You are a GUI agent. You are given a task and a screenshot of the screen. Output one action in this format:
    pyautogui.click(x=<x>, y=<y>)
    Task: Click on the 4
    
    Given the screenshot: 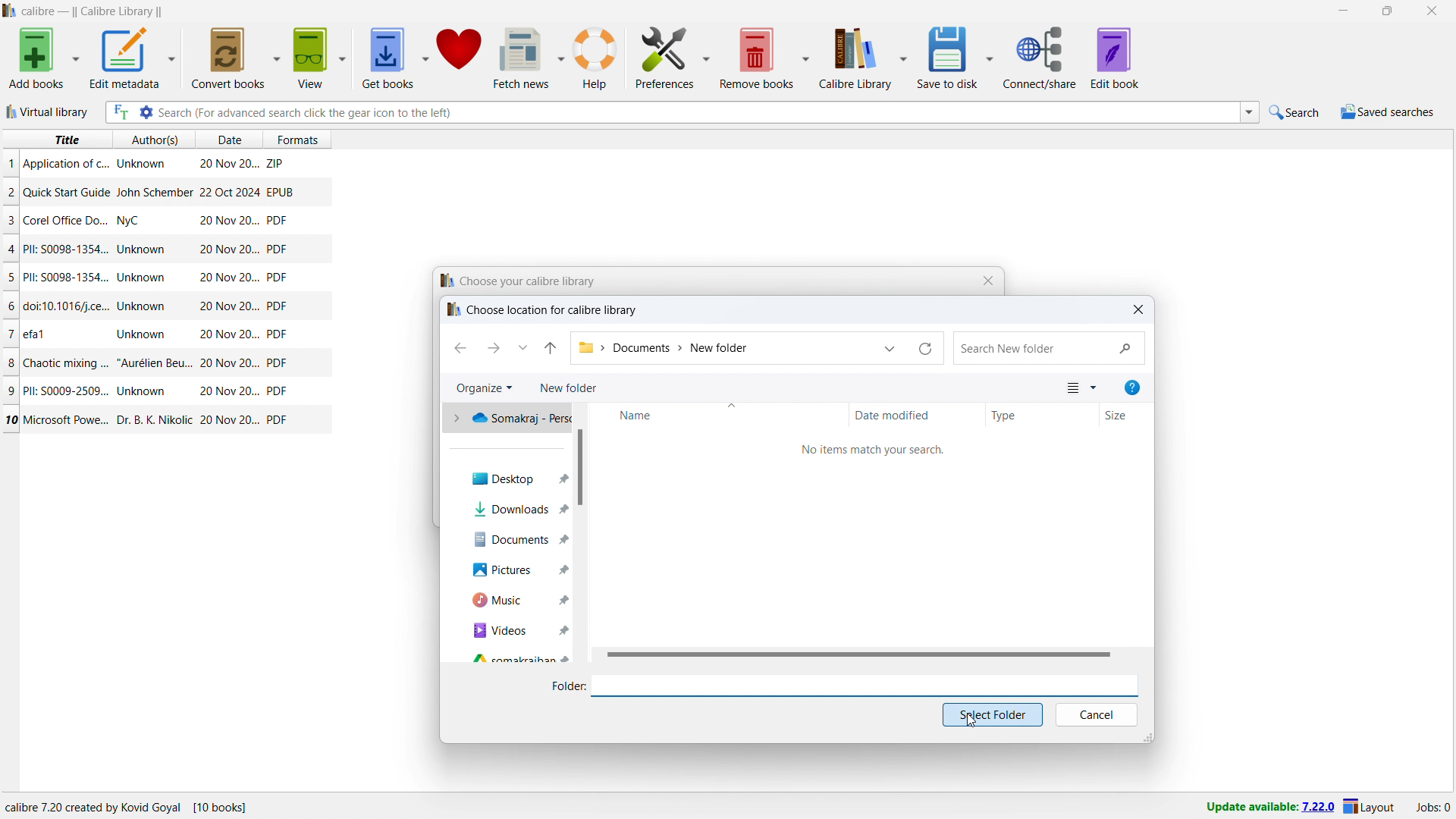 What is the action you would take?
    pyautogui.click(x=12, y=249)
    